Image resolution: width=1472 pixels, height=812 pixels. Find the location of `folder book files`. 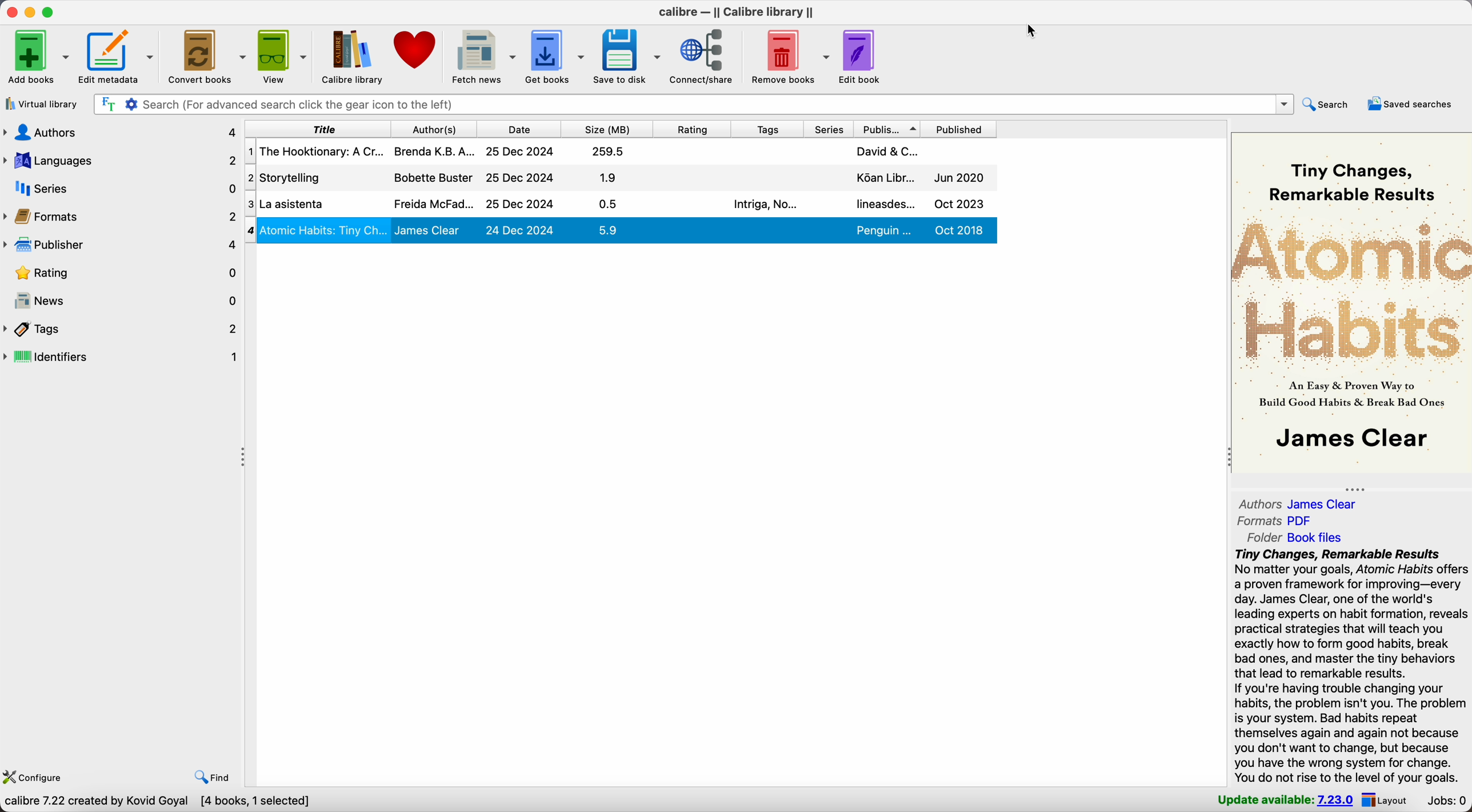

folder book files is located at coordinates (1293, 537).